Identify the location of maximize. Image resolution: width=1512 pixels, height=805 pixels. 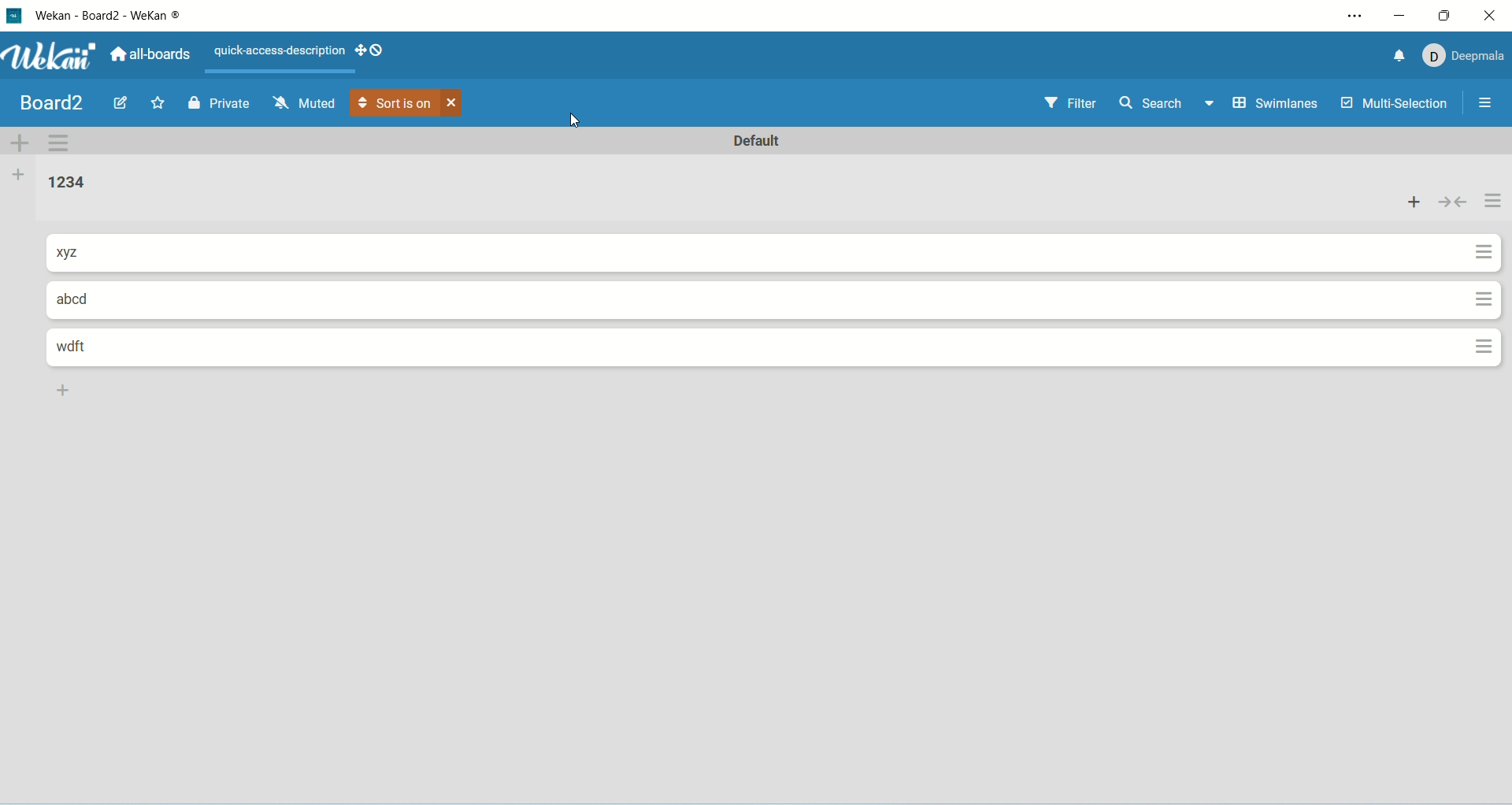
(1447, 14).